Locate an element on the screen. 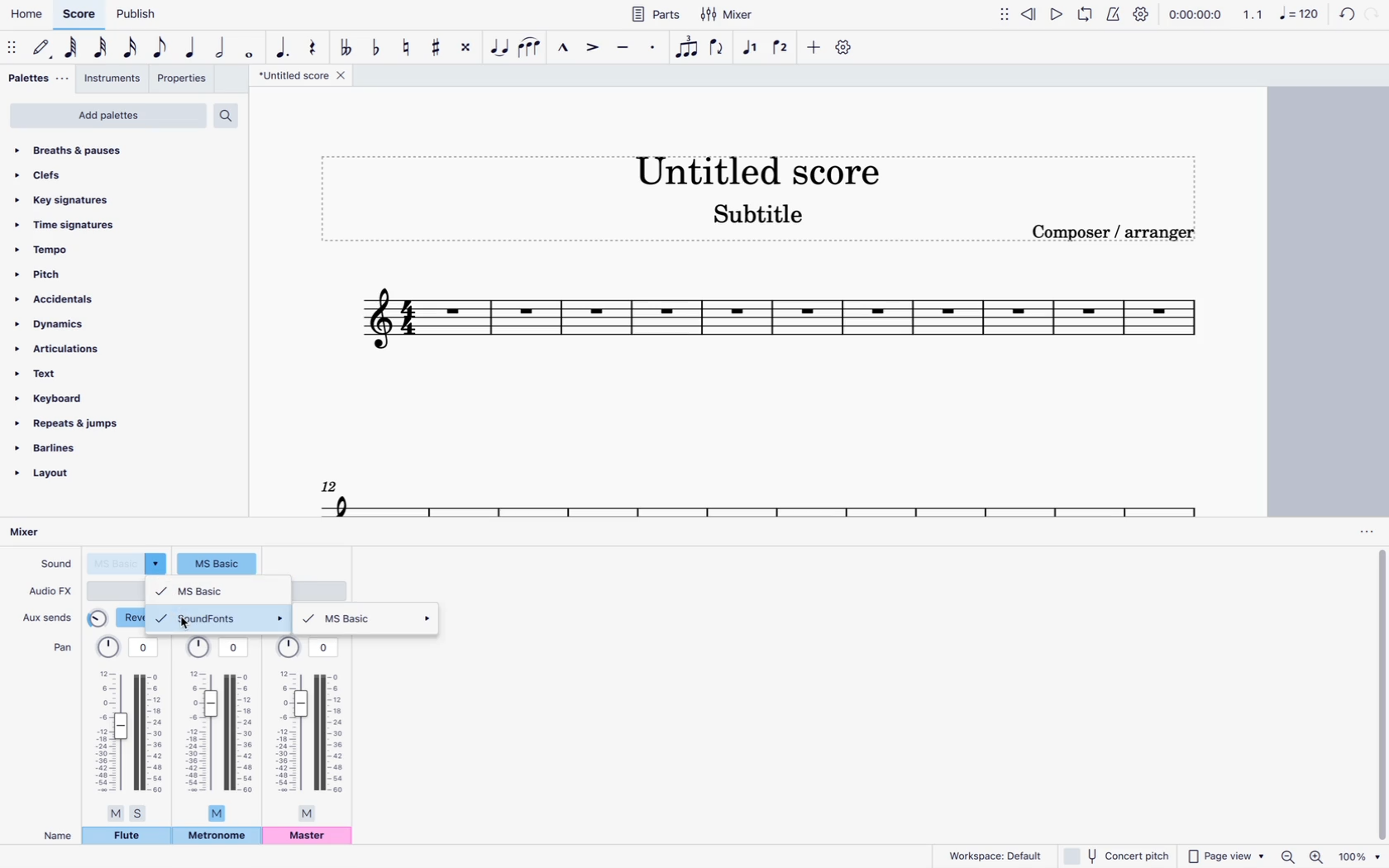 This screenshot has width=1389, height=868. more is located at coordinates (811, 46).